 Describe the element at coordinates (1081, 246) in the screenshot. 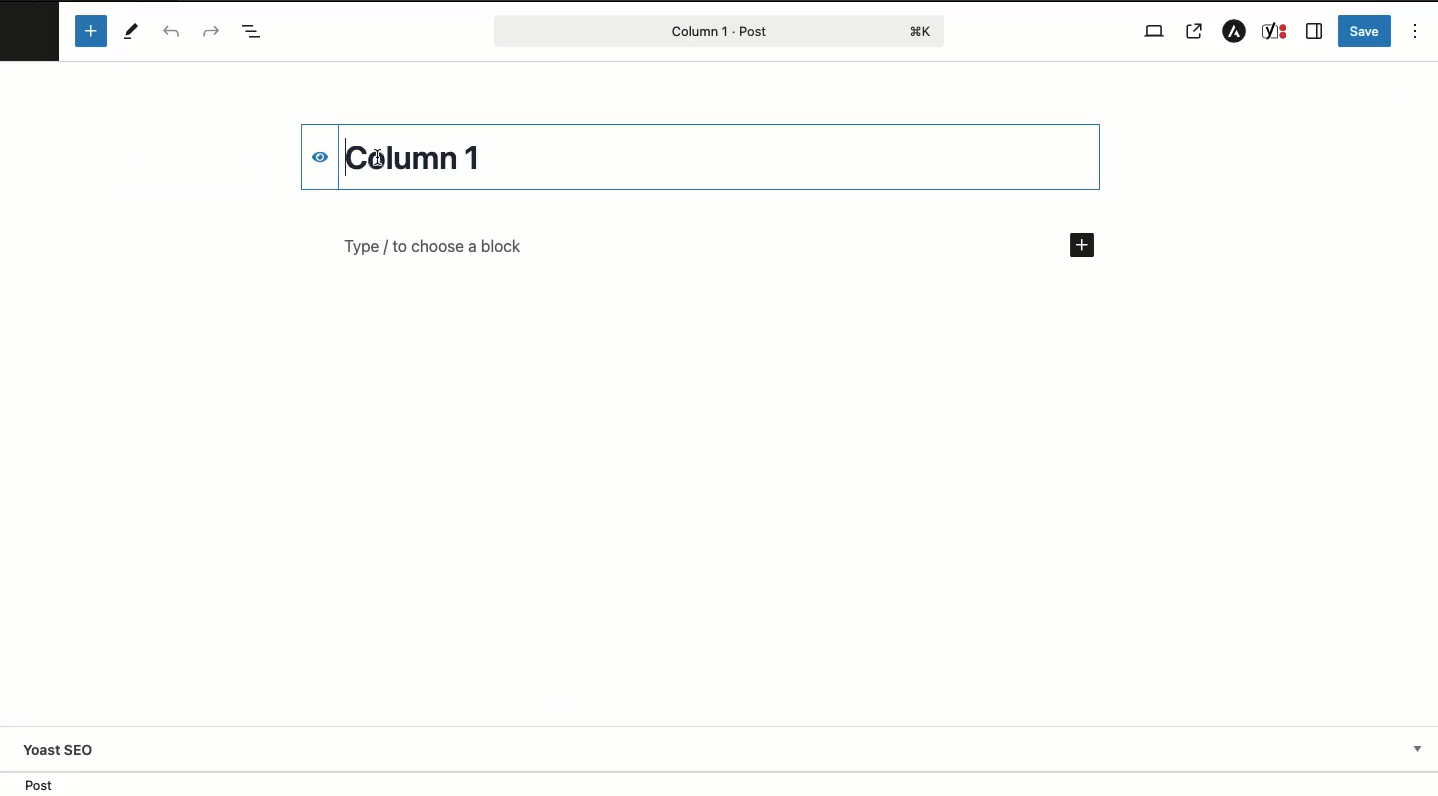

I see `Add new block` at that location.